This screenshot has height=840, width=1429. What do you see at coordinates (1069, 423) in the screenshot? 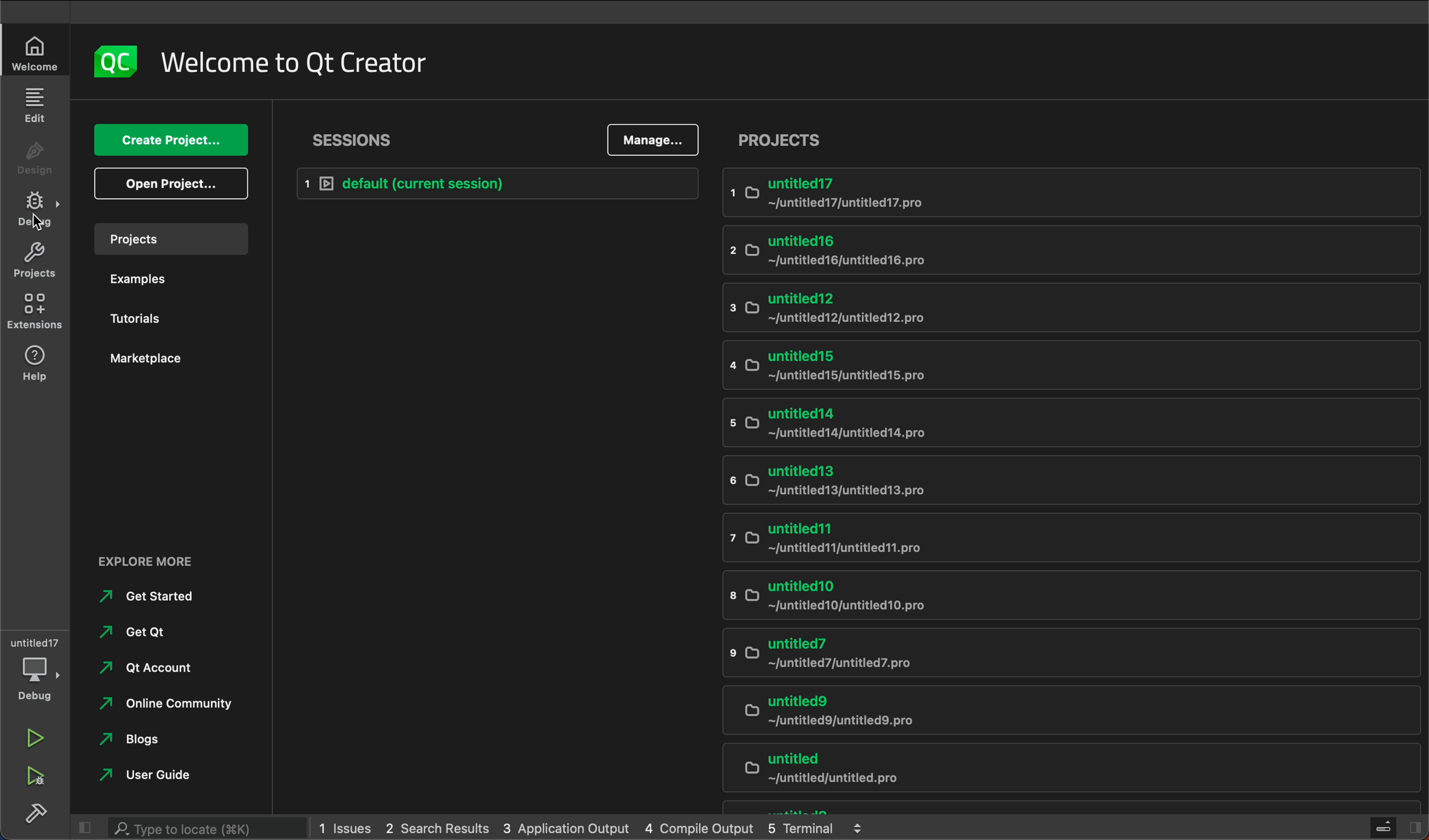
I see `untitled14
~[untitled14/untitled14.pro` at bounding box center [1069, 423].